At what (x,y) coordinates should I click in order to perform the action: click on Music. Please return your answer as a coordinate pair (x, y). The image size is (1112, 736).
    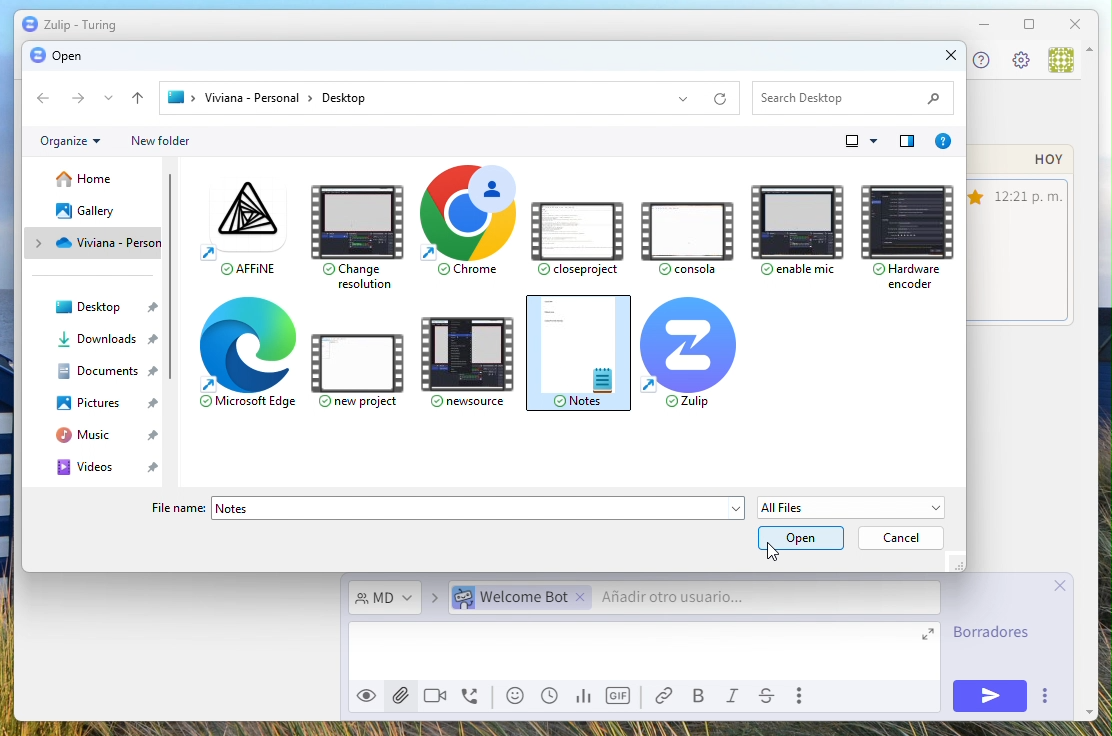
    Looking at the image, I should click on (112, 436).